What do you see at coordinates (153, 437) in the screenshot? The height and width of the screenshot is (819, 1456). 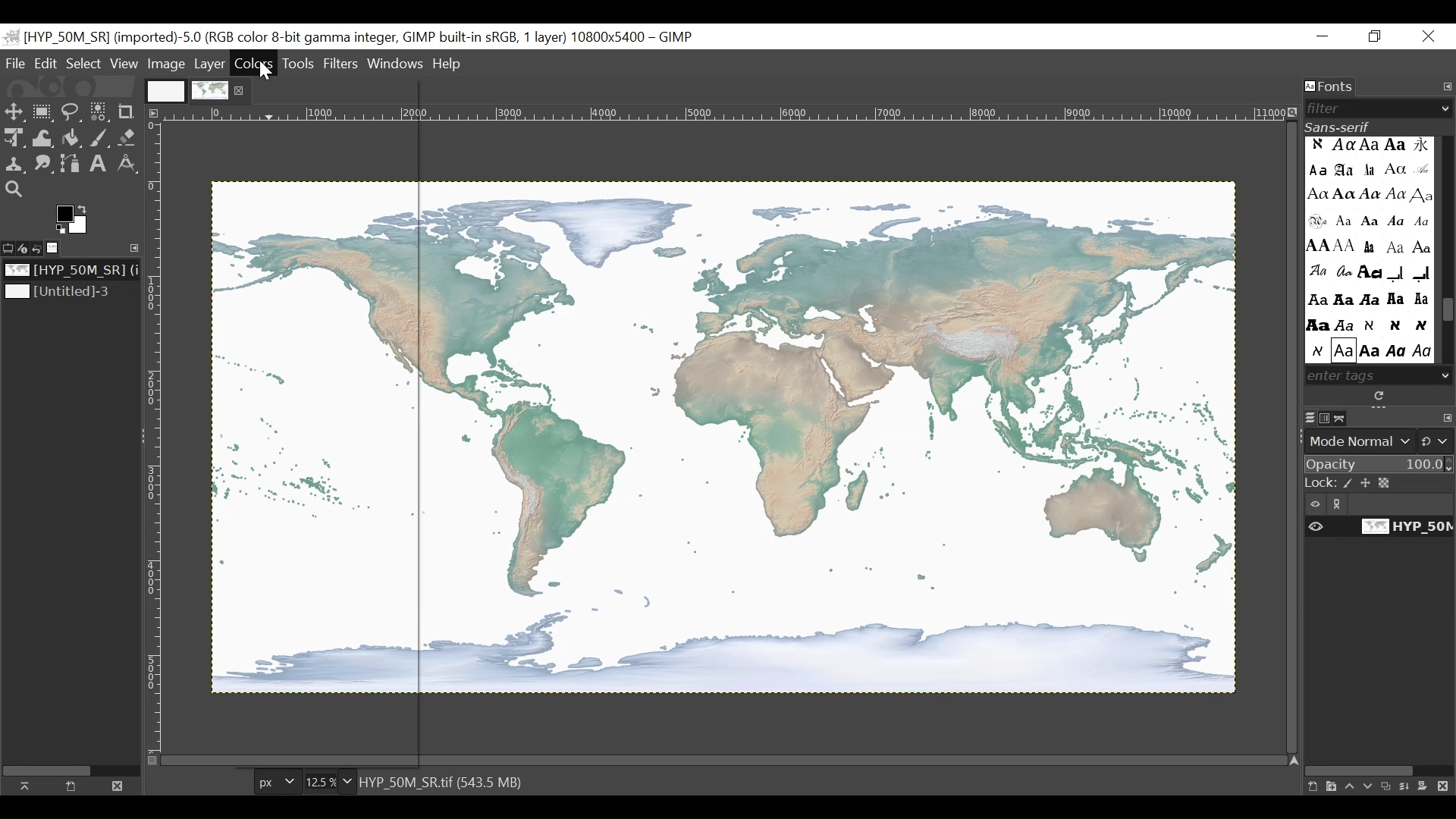 I see `Vertical Rule` at bounding box center [153, 437].